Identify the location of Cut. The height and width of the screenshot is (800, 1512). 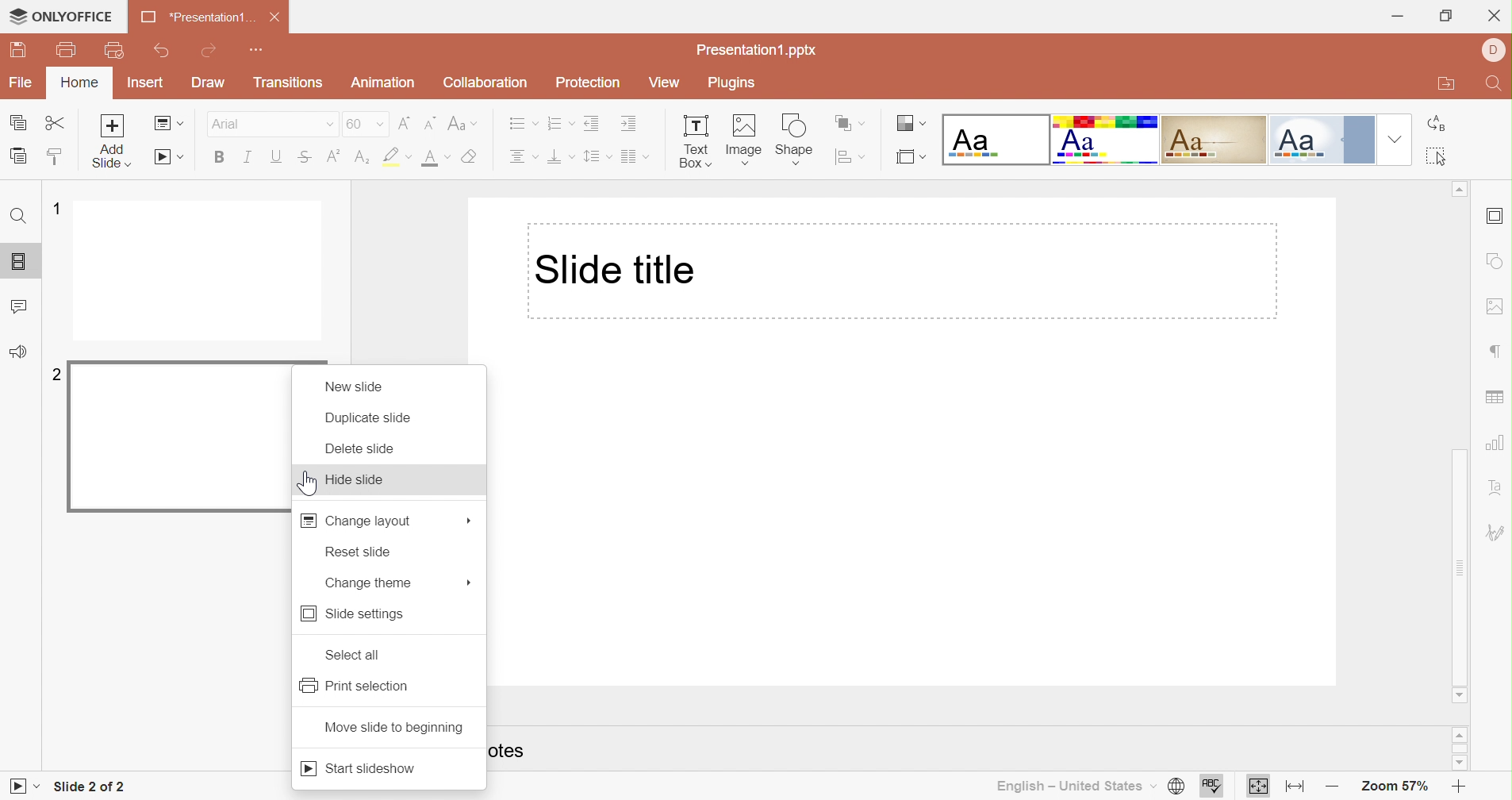
(57, 124).